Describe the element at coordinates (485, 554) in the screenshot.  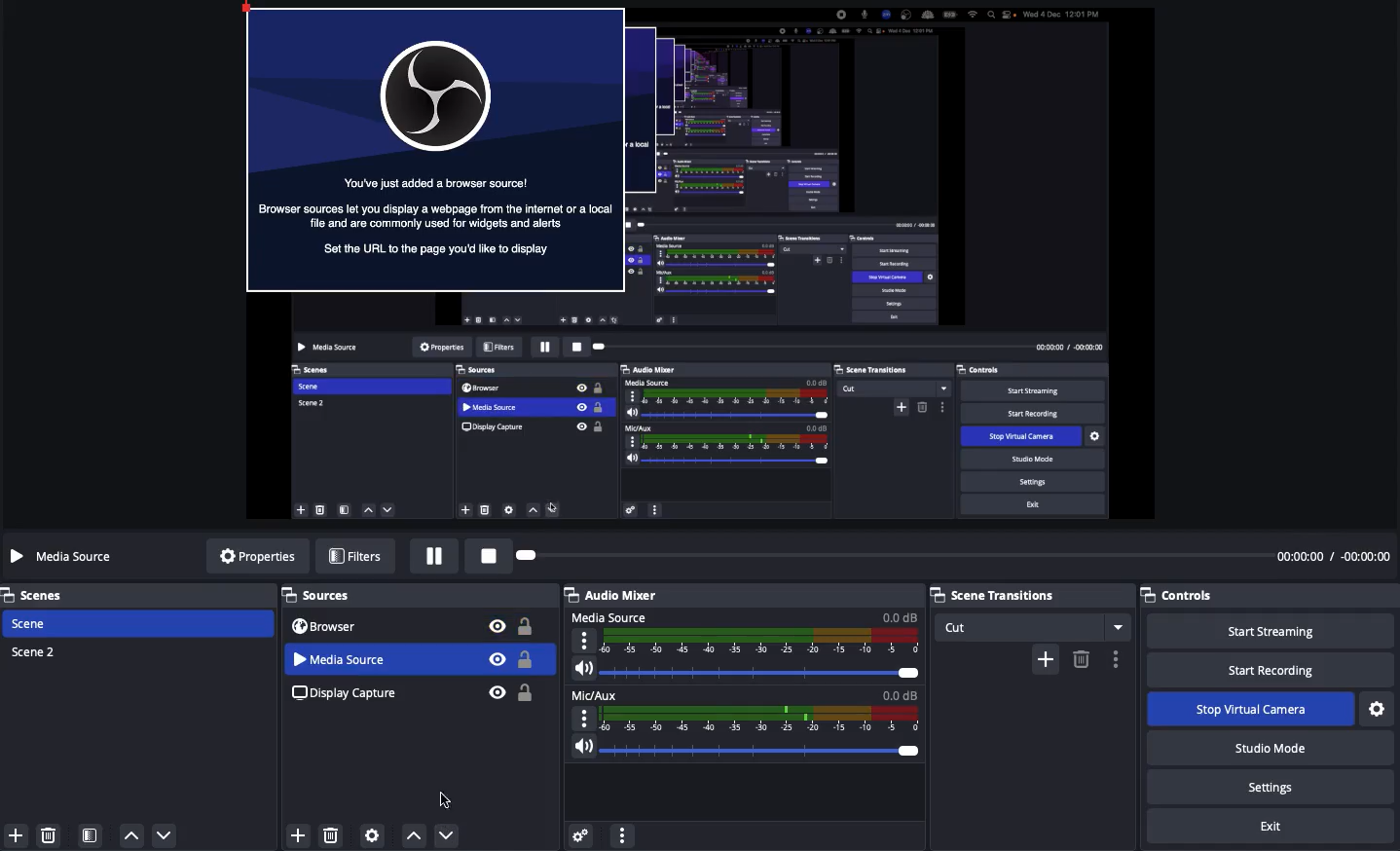
I see `Stop` at that location.